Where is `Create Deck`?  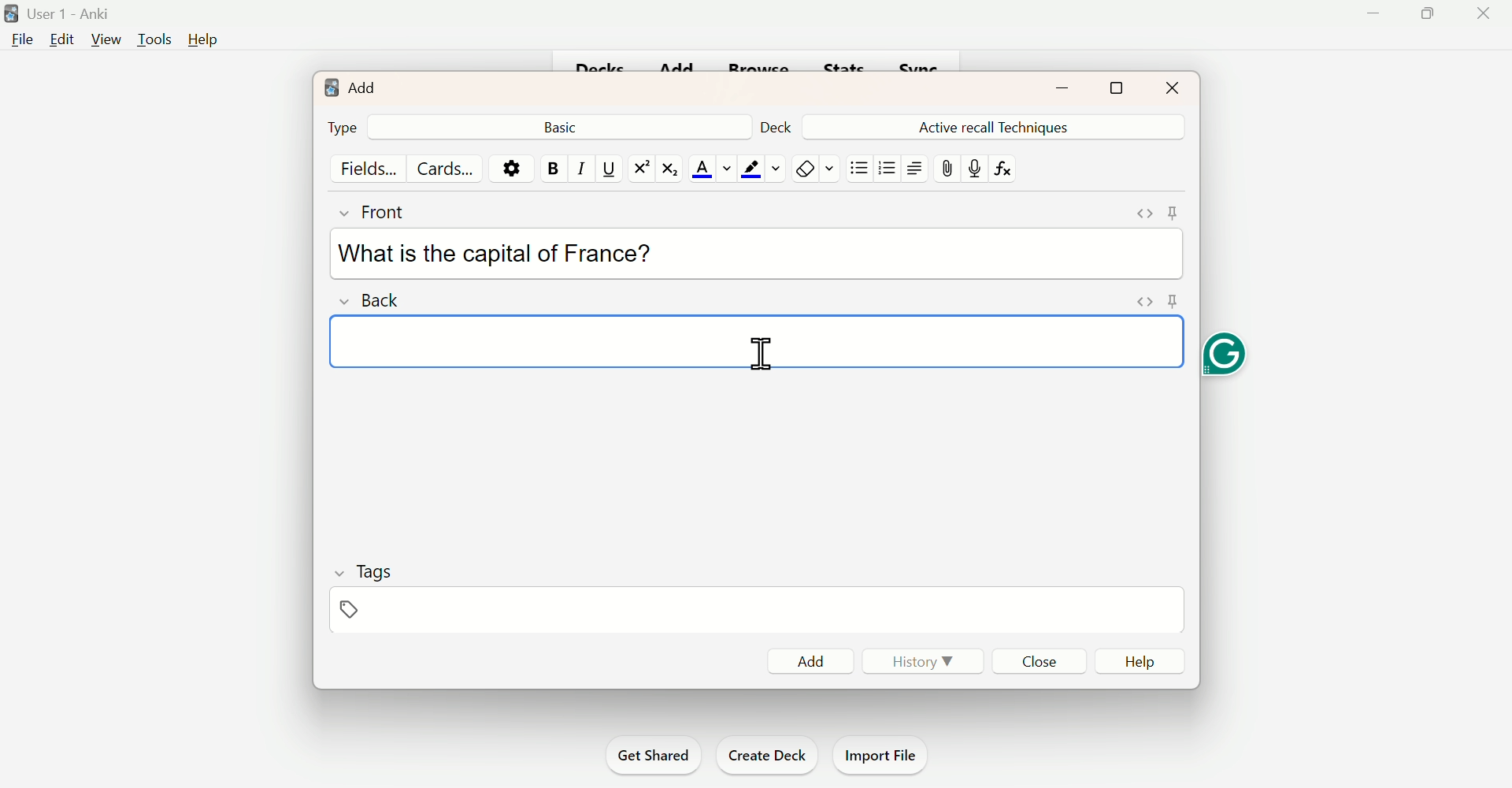 Create Deck is located at coordinates (768, 754).